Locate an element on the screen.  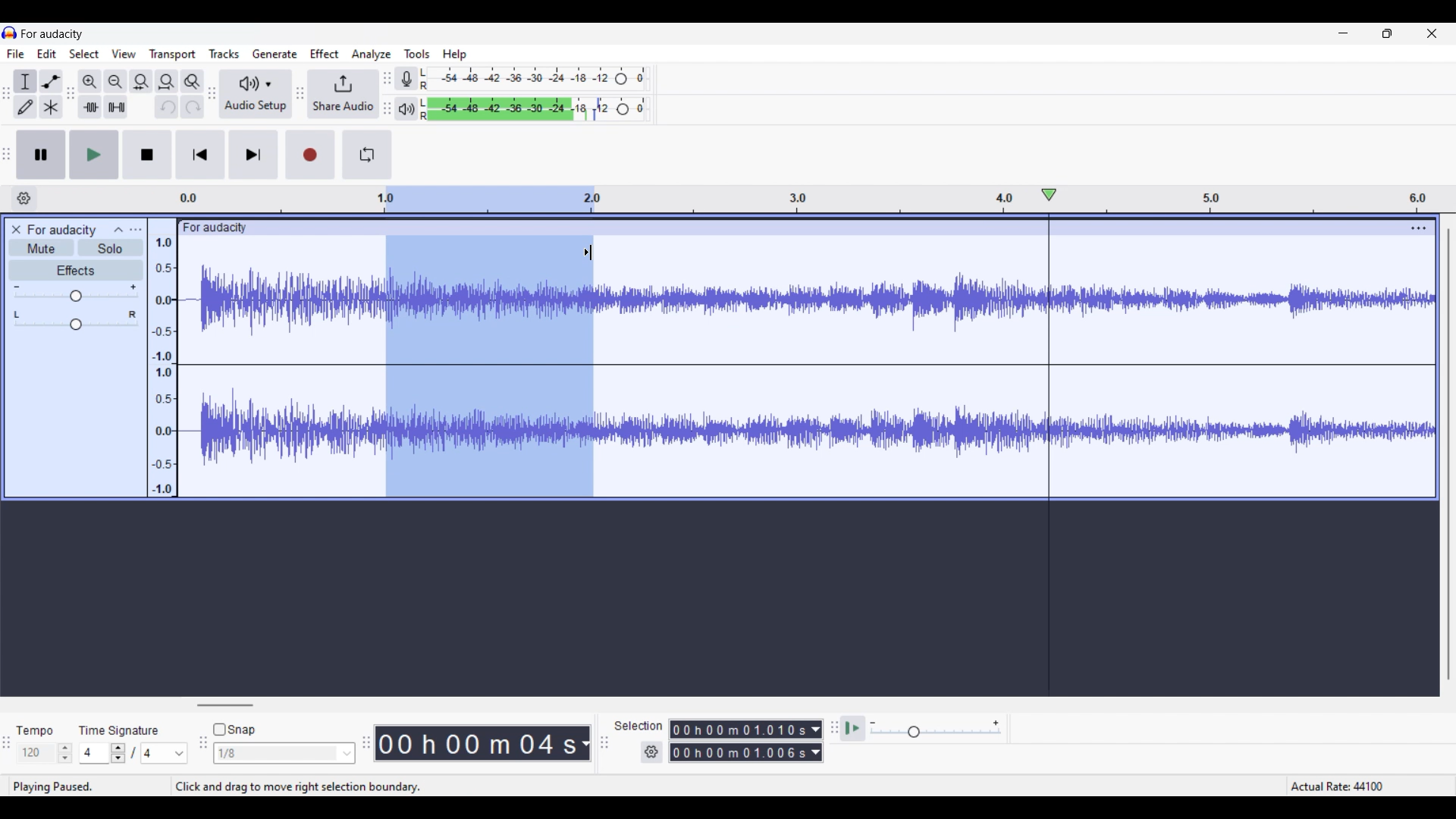
Fit track to width is located at coordinates (167, 82).